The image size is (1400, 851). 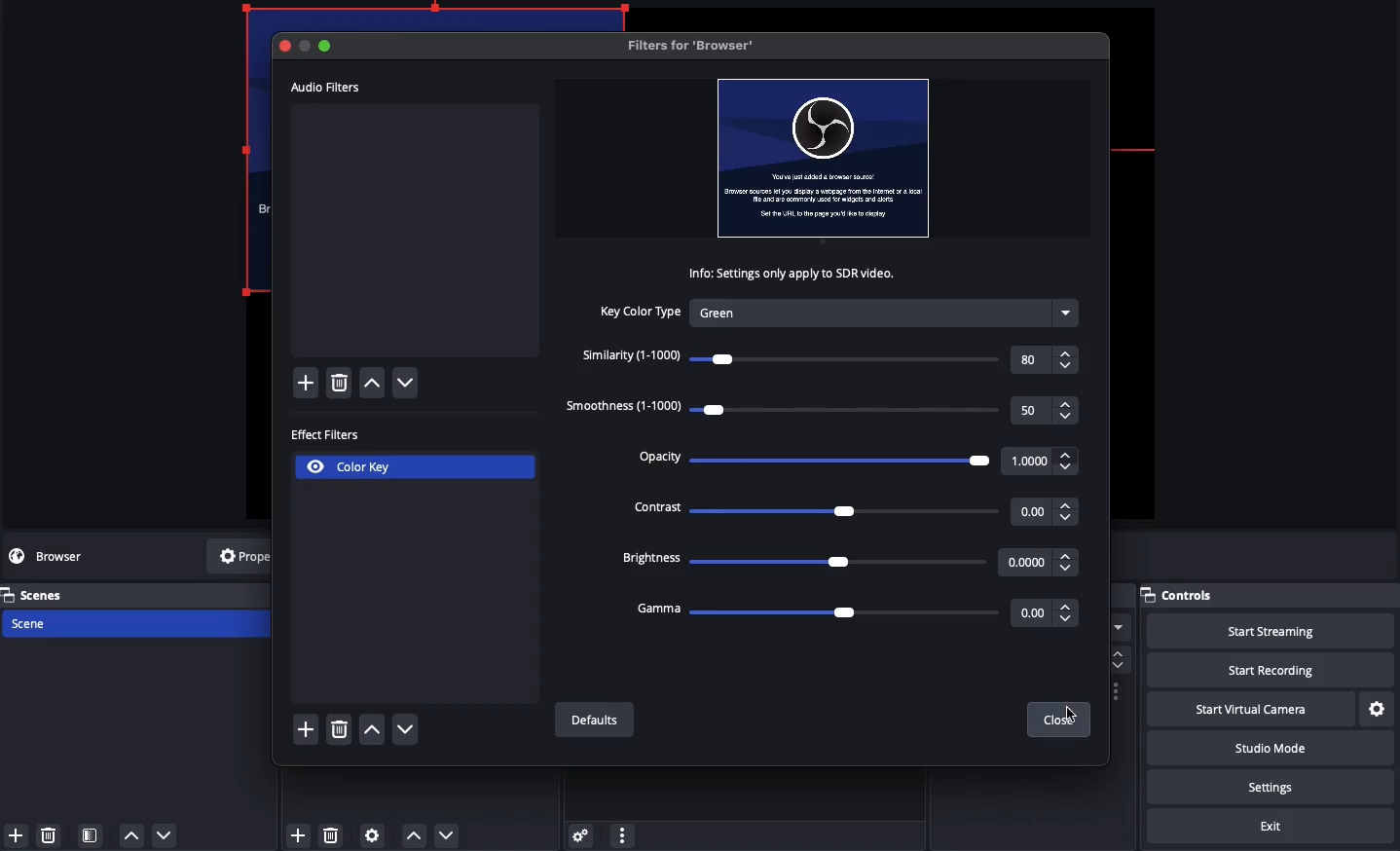 What do you see at coordinates (1274, 826) in the screenshot?
I see `Exit` at bounding box center [1274, 826].